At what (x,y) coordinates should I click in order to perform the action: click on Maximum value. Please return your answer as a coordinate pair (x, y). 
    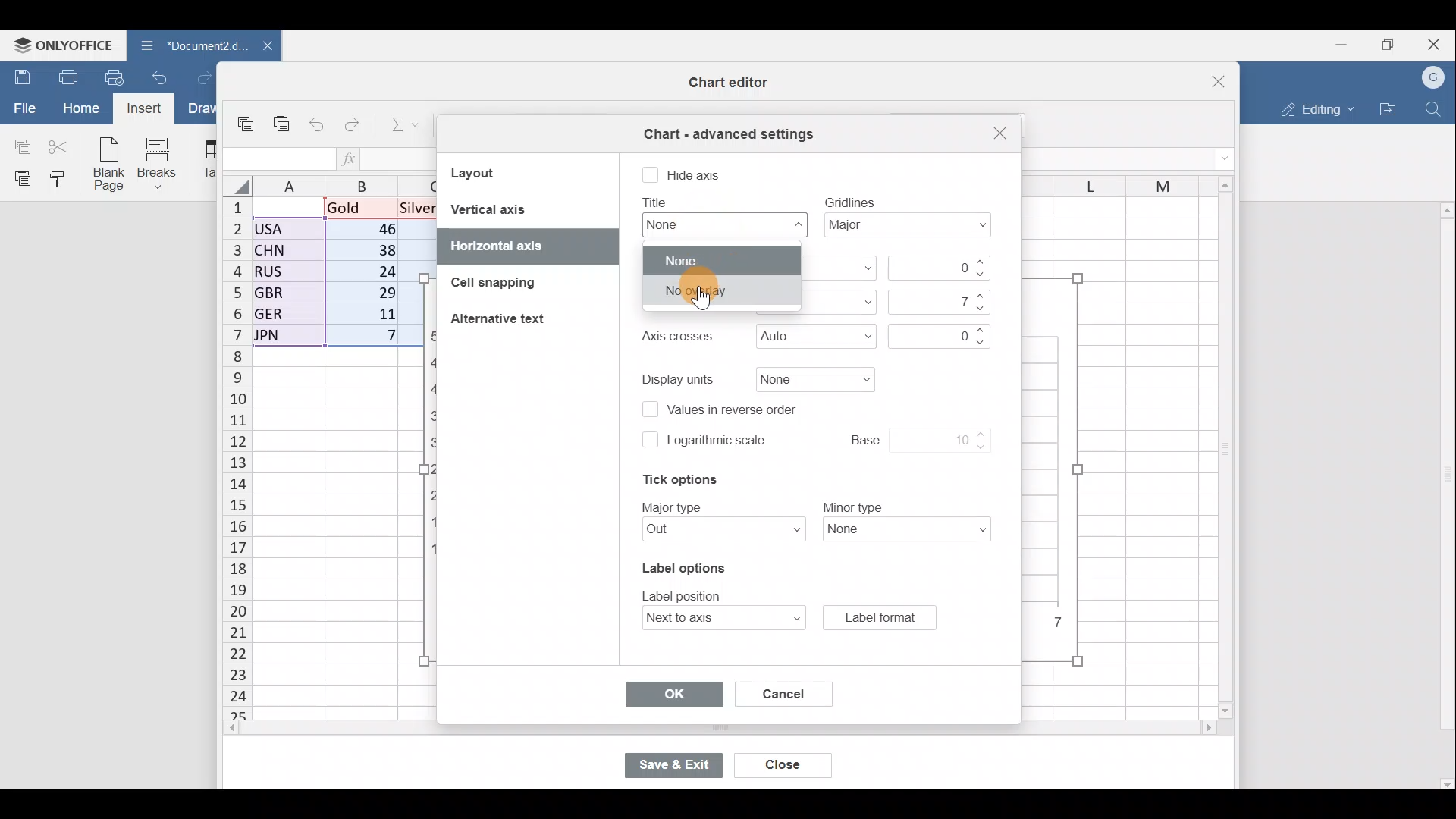
    Looking at the image, I should click on (936, 301).